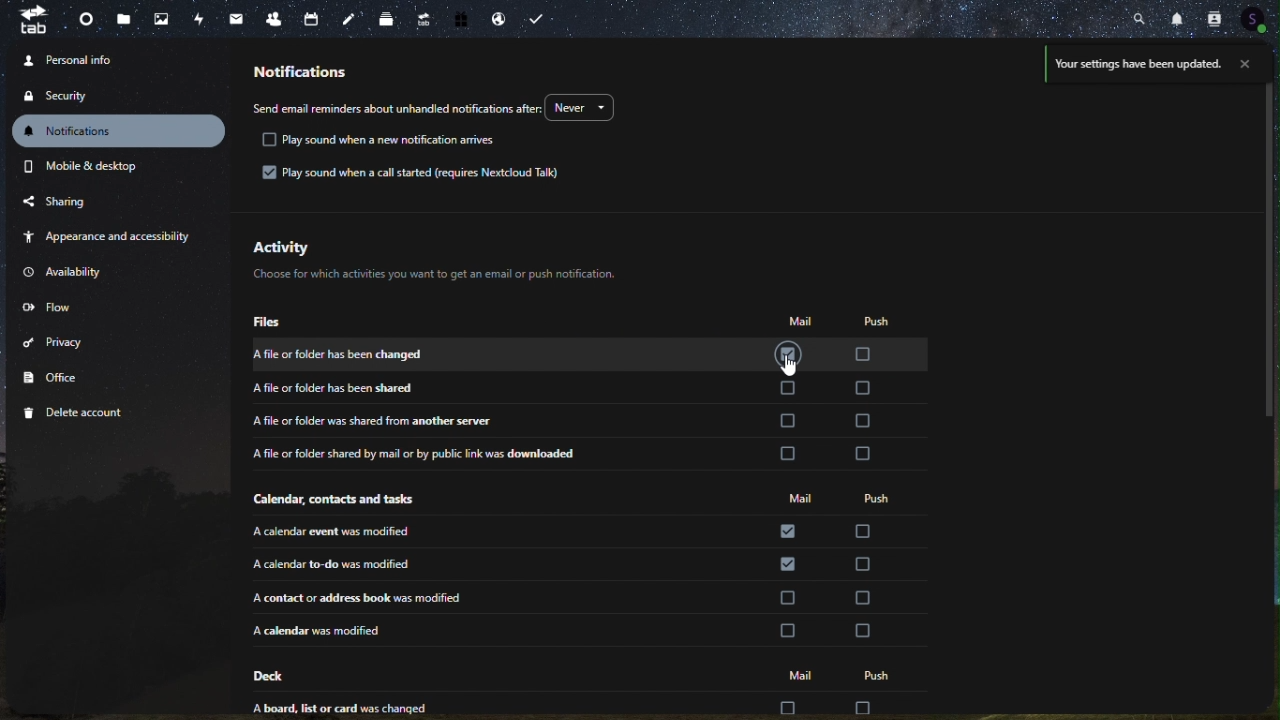 The width and height of the screenshot is (1280, 720). Describe the element at coordinates (267, 140) in the screenshot. I see `check box` at that location.